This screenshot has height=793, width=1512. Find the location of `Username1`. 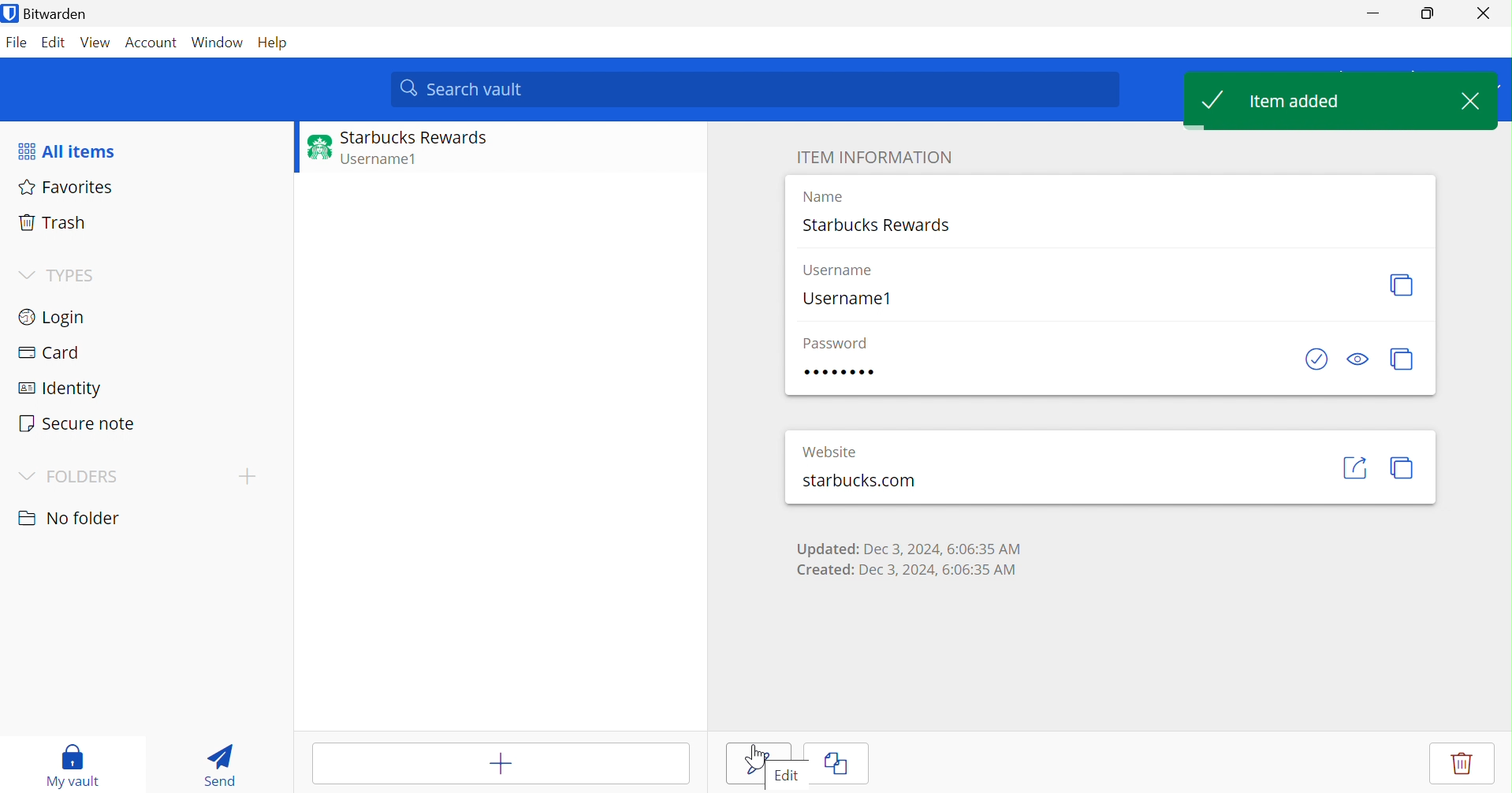

Username1 is located at coordinates (385, 159).